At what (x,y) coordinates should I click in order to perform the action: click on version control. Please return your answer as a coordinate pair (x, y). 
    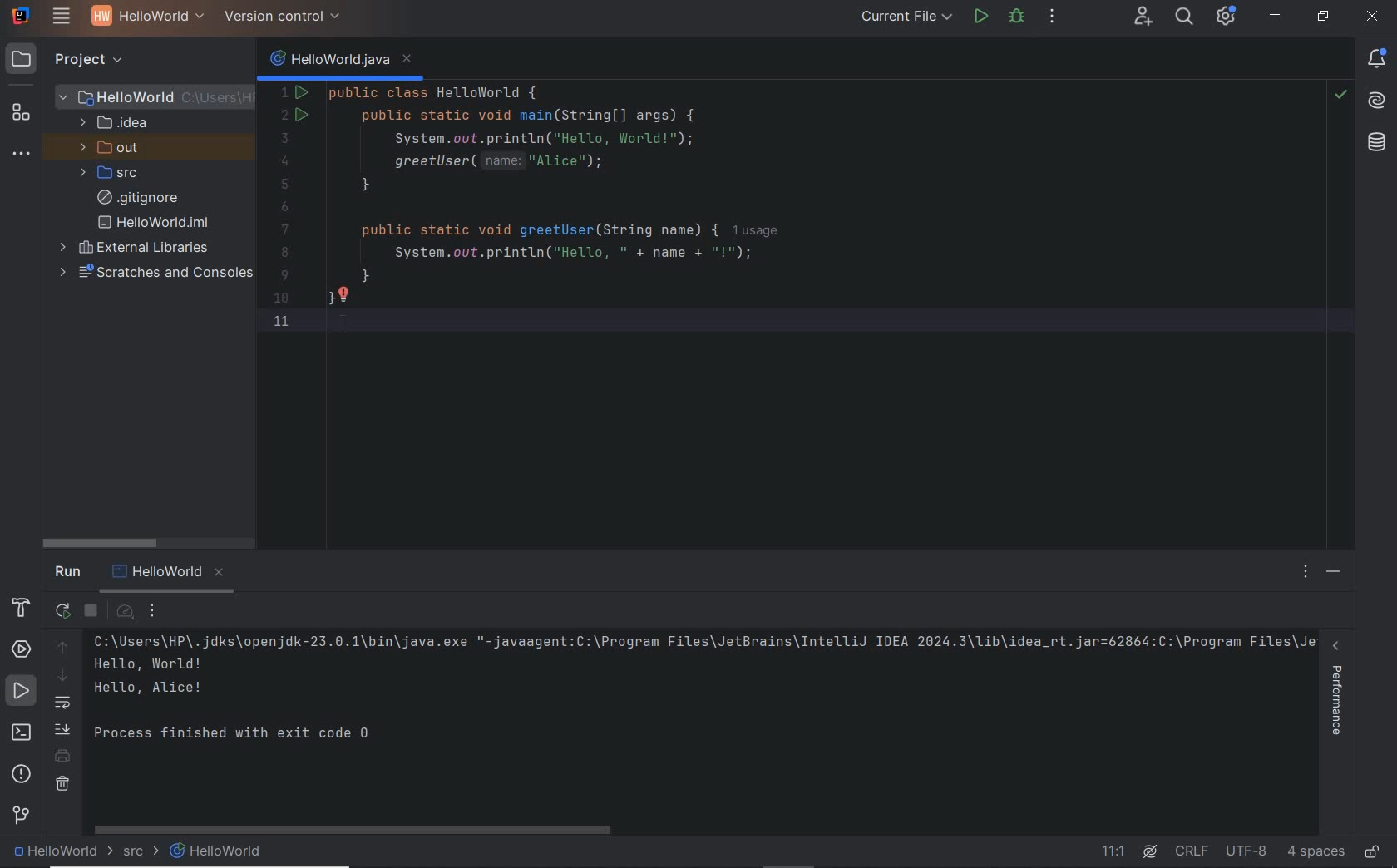
    Looking at the image, I should click on (284, 17).